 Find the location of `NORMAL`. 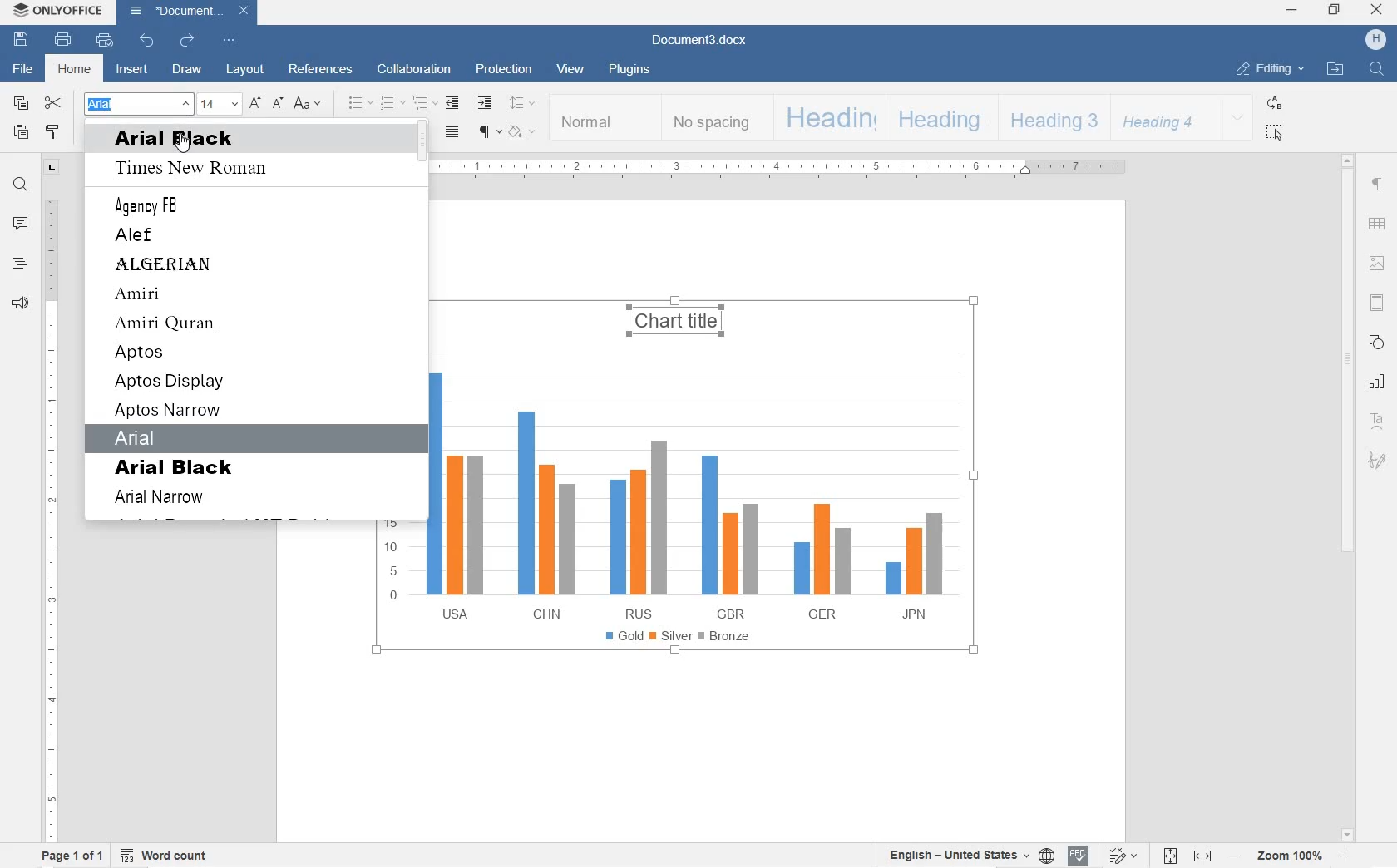

NORMAL is located at coordinates (605, 117).